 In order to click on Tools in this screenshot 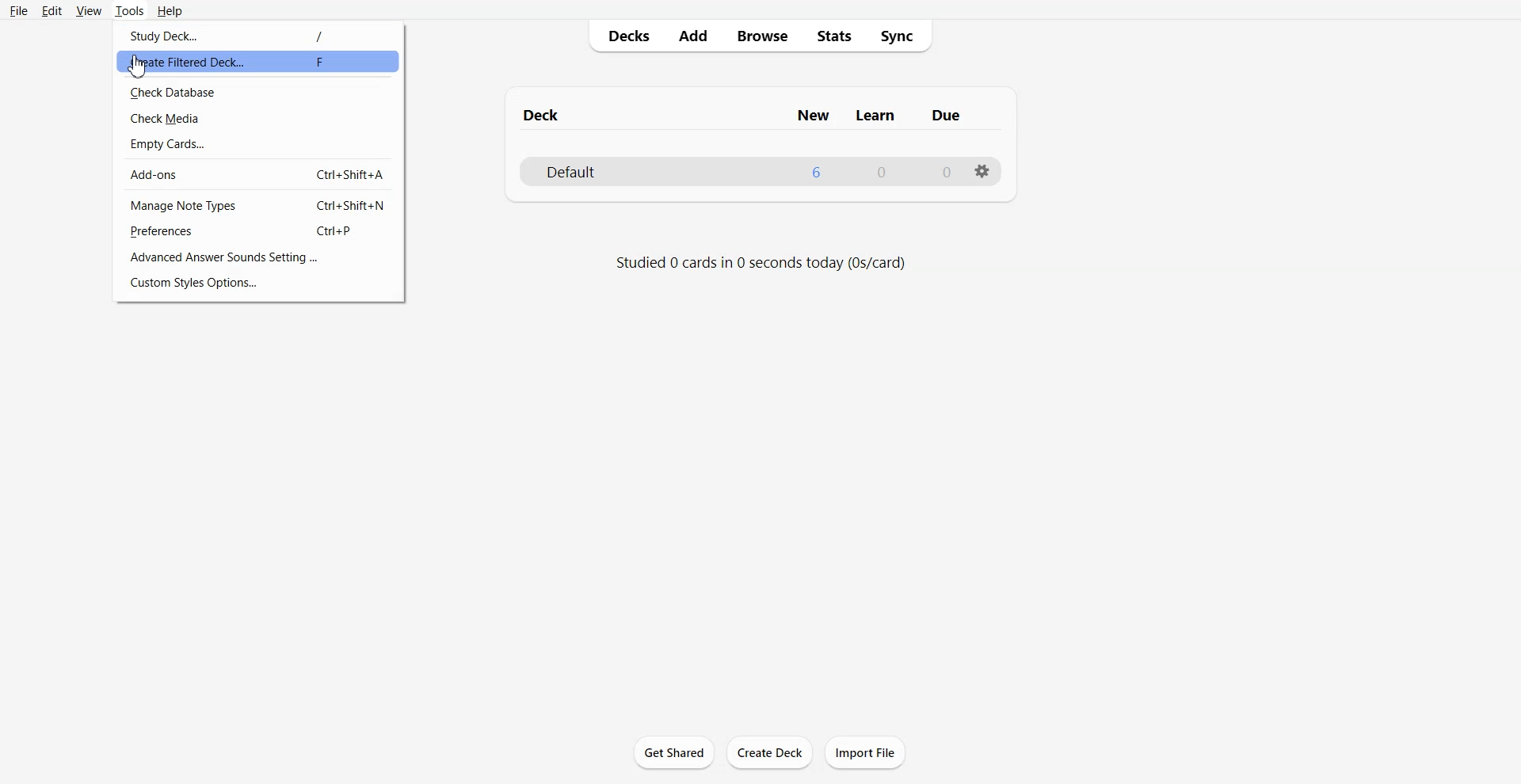, I will do `click(129, 10)`.